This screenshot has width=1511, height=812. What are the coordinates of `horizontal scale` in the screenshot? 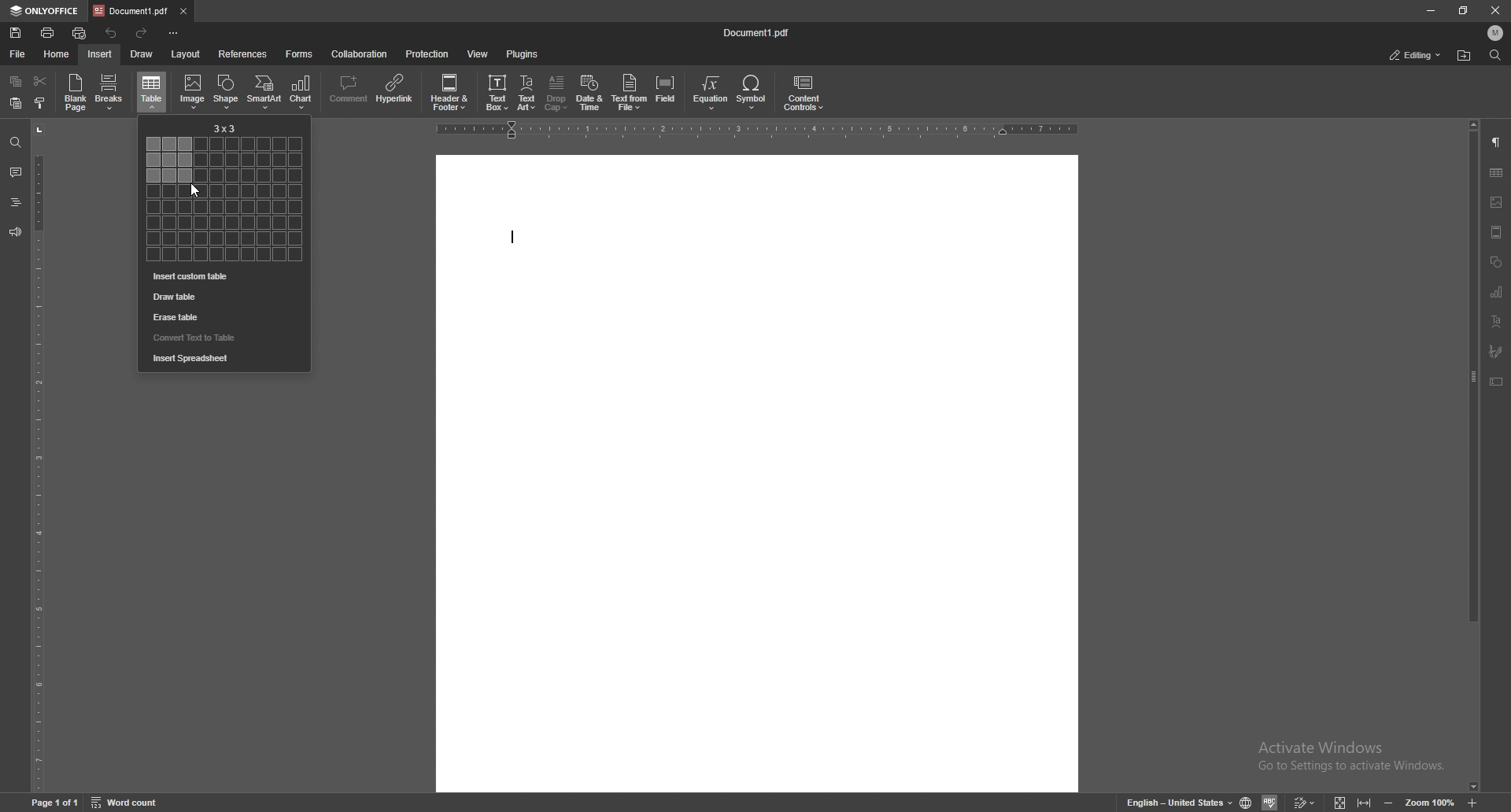 It's located at (754, 131).